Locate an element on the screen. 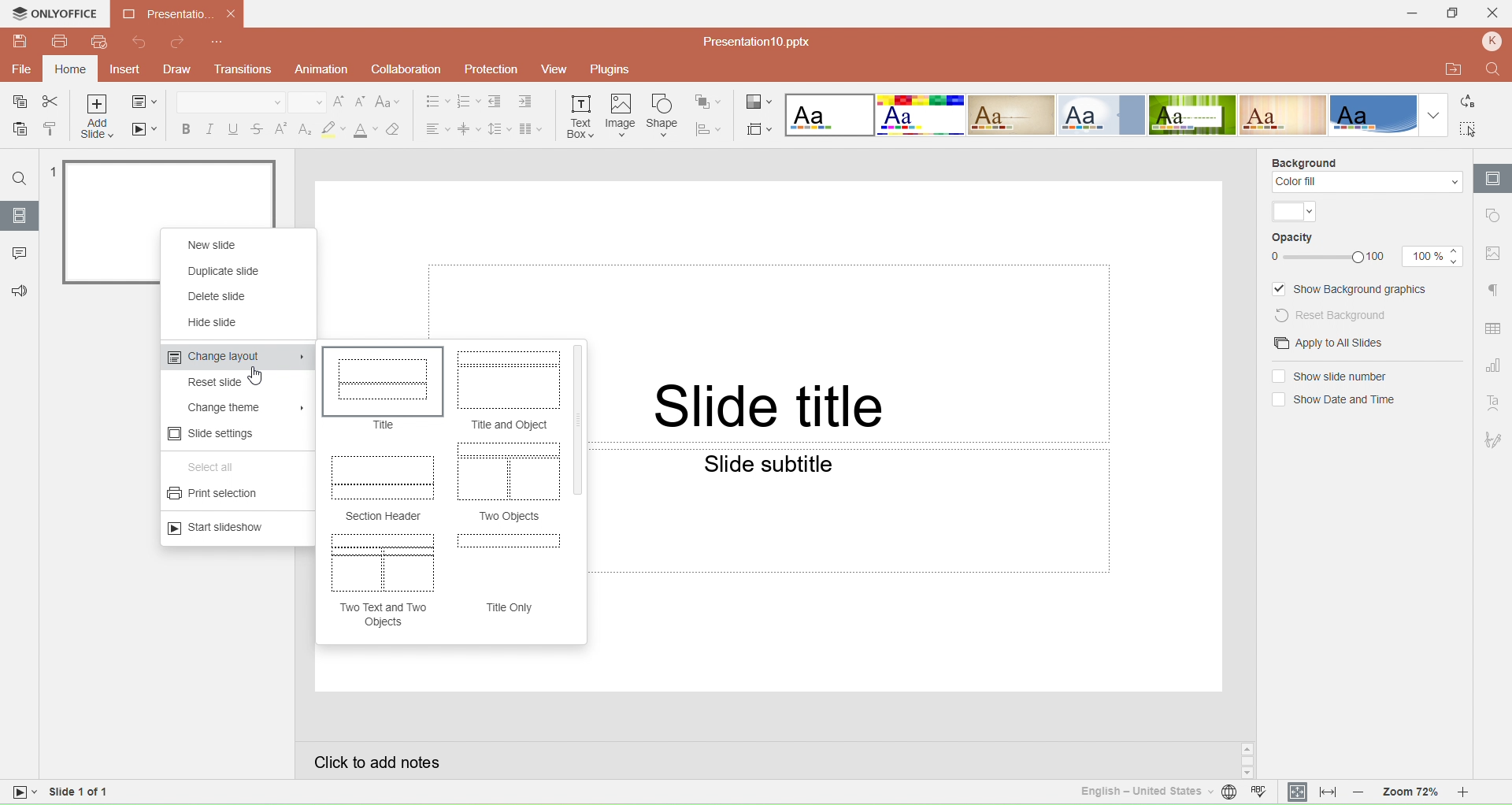 The width and height of the screenshot is (1512, 805). Basic is located at coordinates (921, 115).